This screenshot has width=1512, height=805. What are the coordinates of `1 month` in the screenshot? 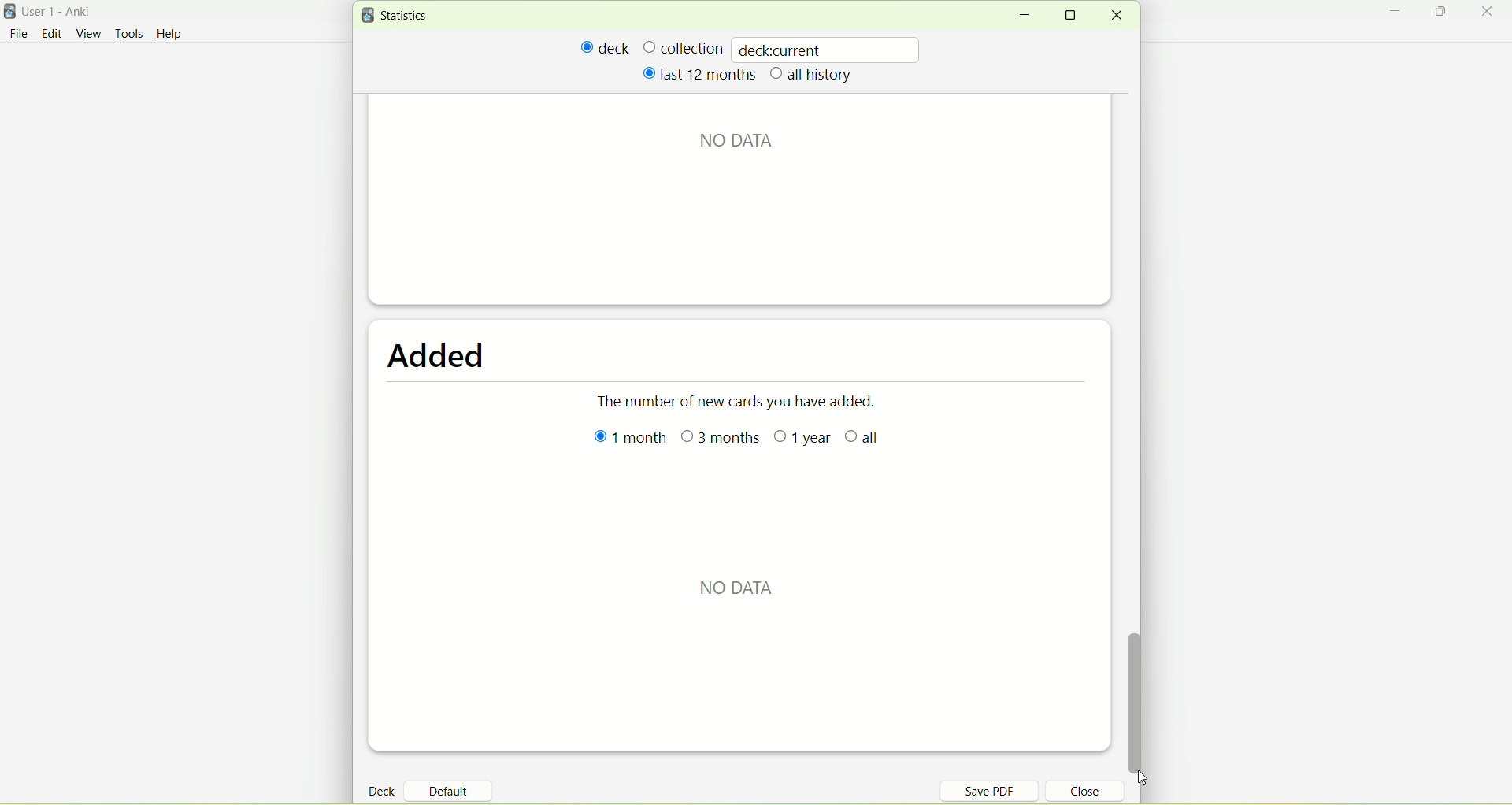 It's located at (624, 443).